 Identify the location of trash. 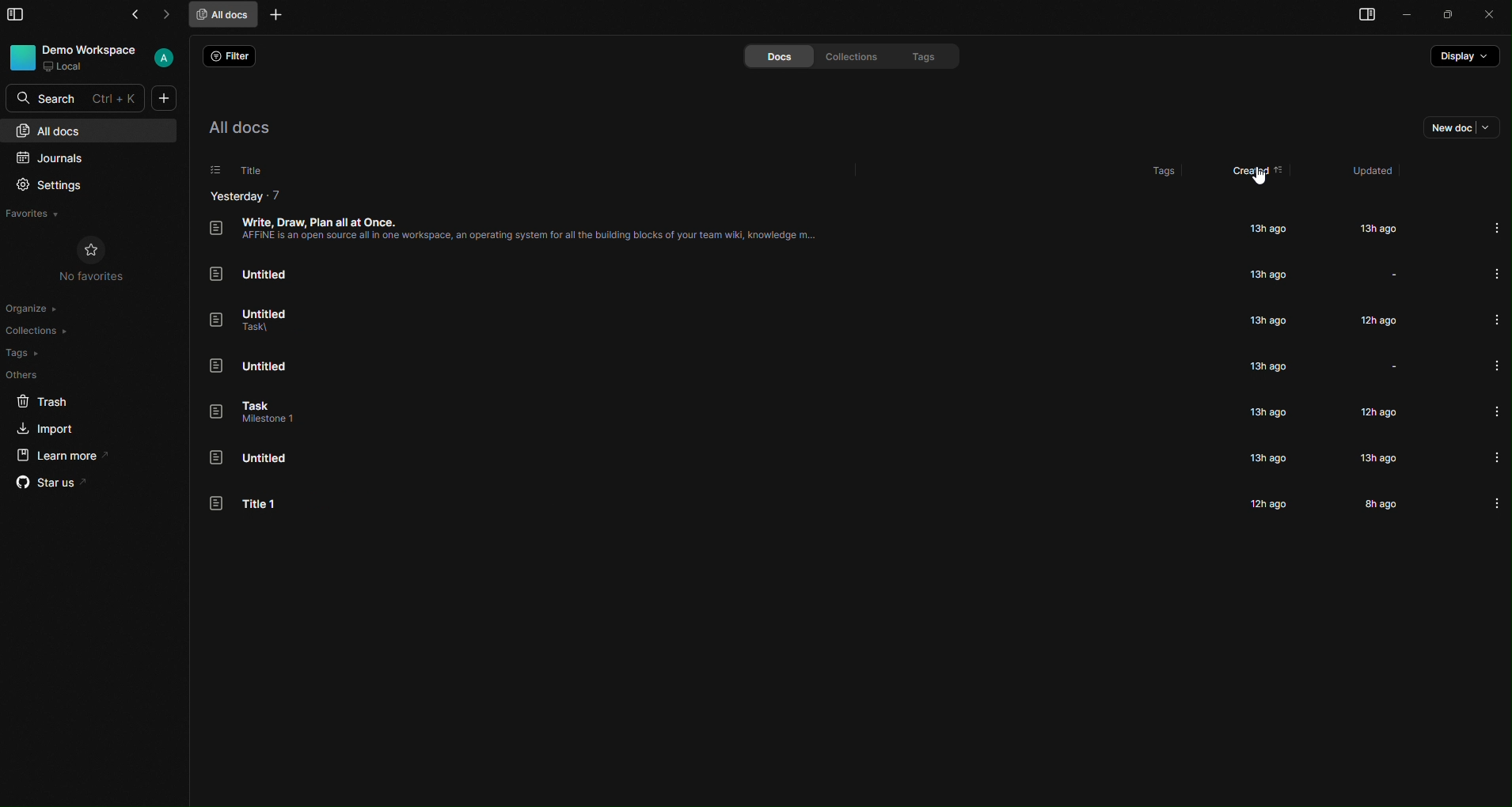
(44, 400).